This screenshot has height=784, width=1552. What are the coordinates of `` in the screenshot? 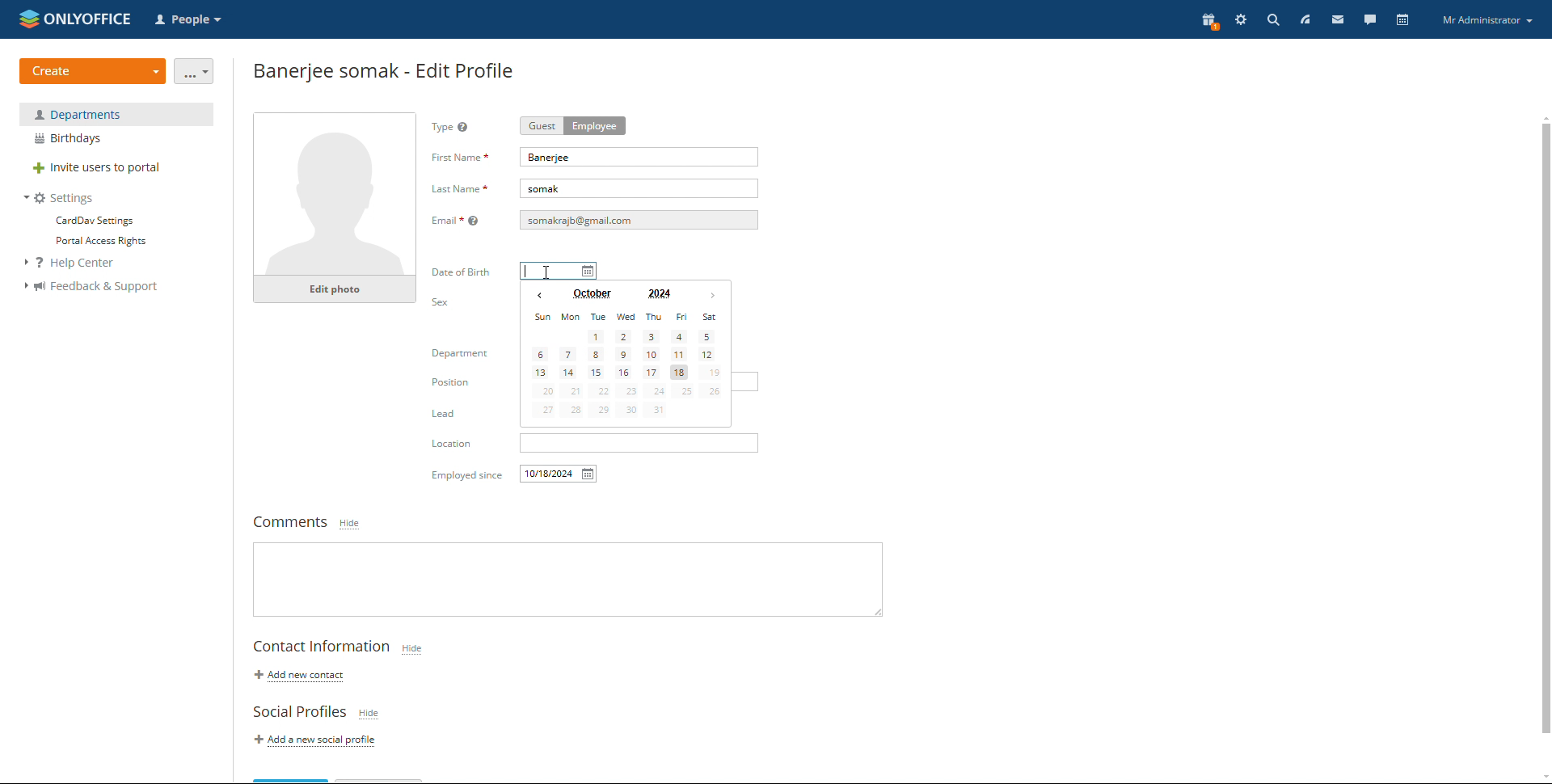 It's located at (462, 476).